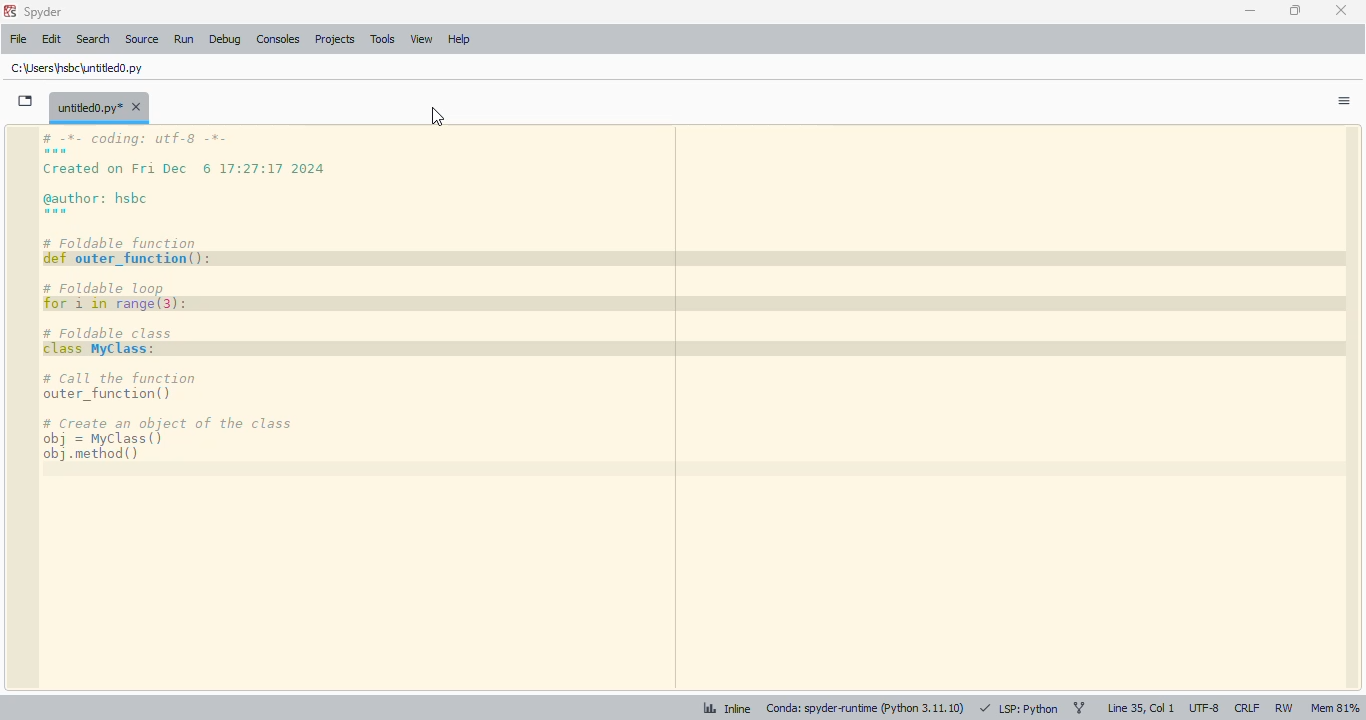 The width and height of the screenshot is (1366, 720). What do you see at coordinates (1350, 408) in the screenshot?
I see `scrollbar` at bounding box center [1350, 408].